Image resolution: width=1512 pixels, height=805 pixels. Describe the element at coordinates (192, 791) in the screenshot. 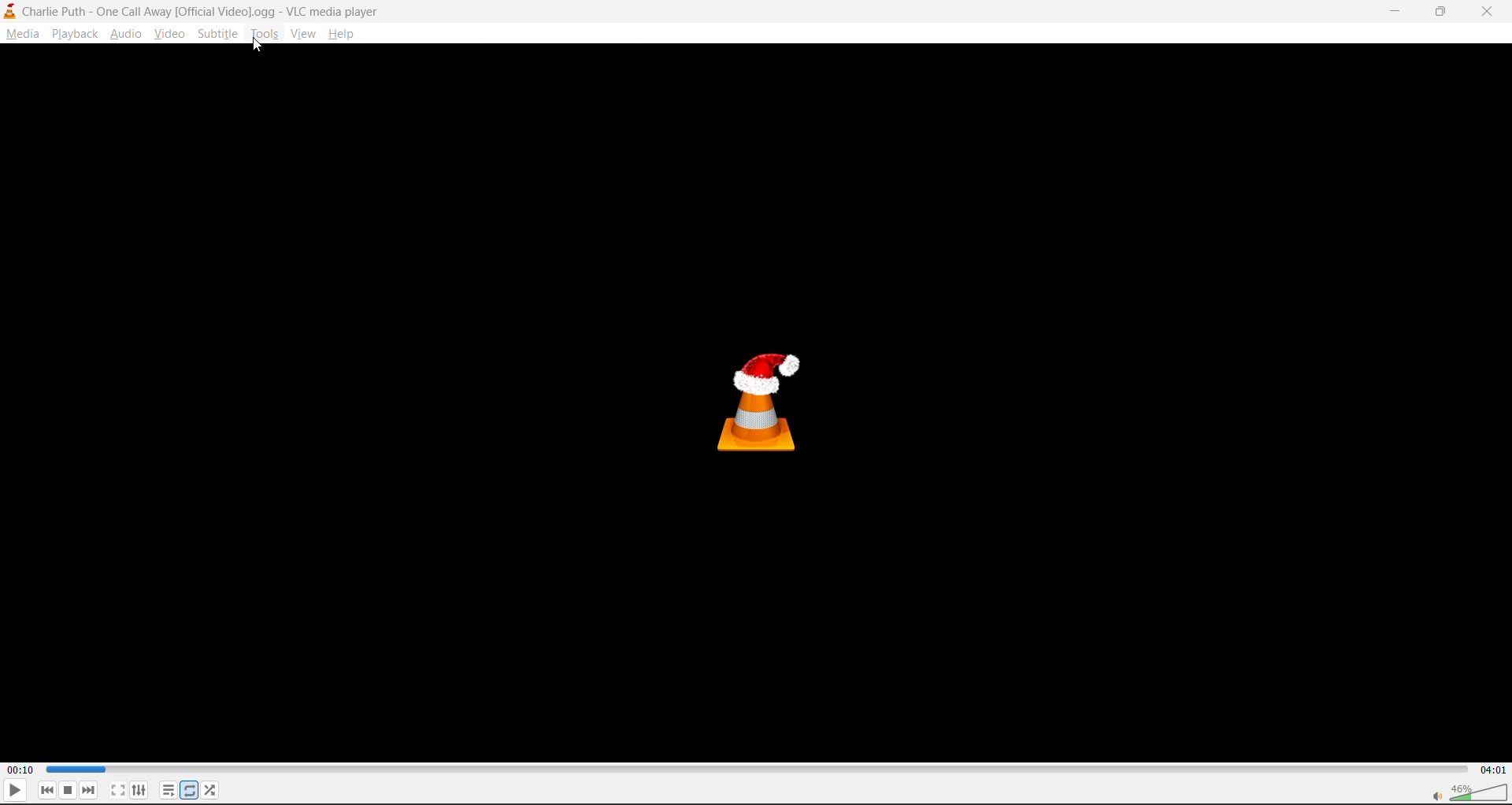

I see `loop` at that location.